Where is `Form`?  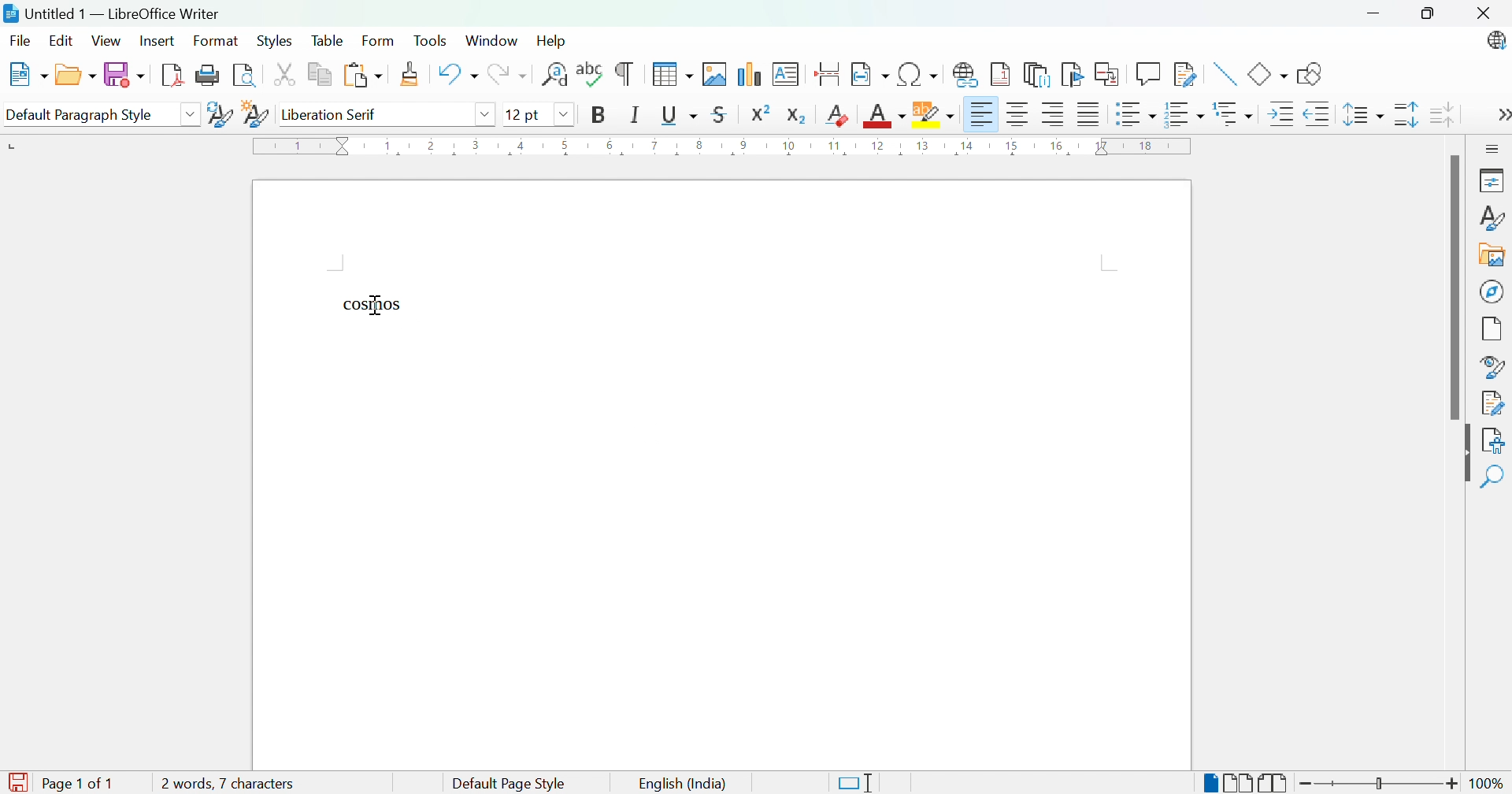
Form is located at coordinates (378, 40).